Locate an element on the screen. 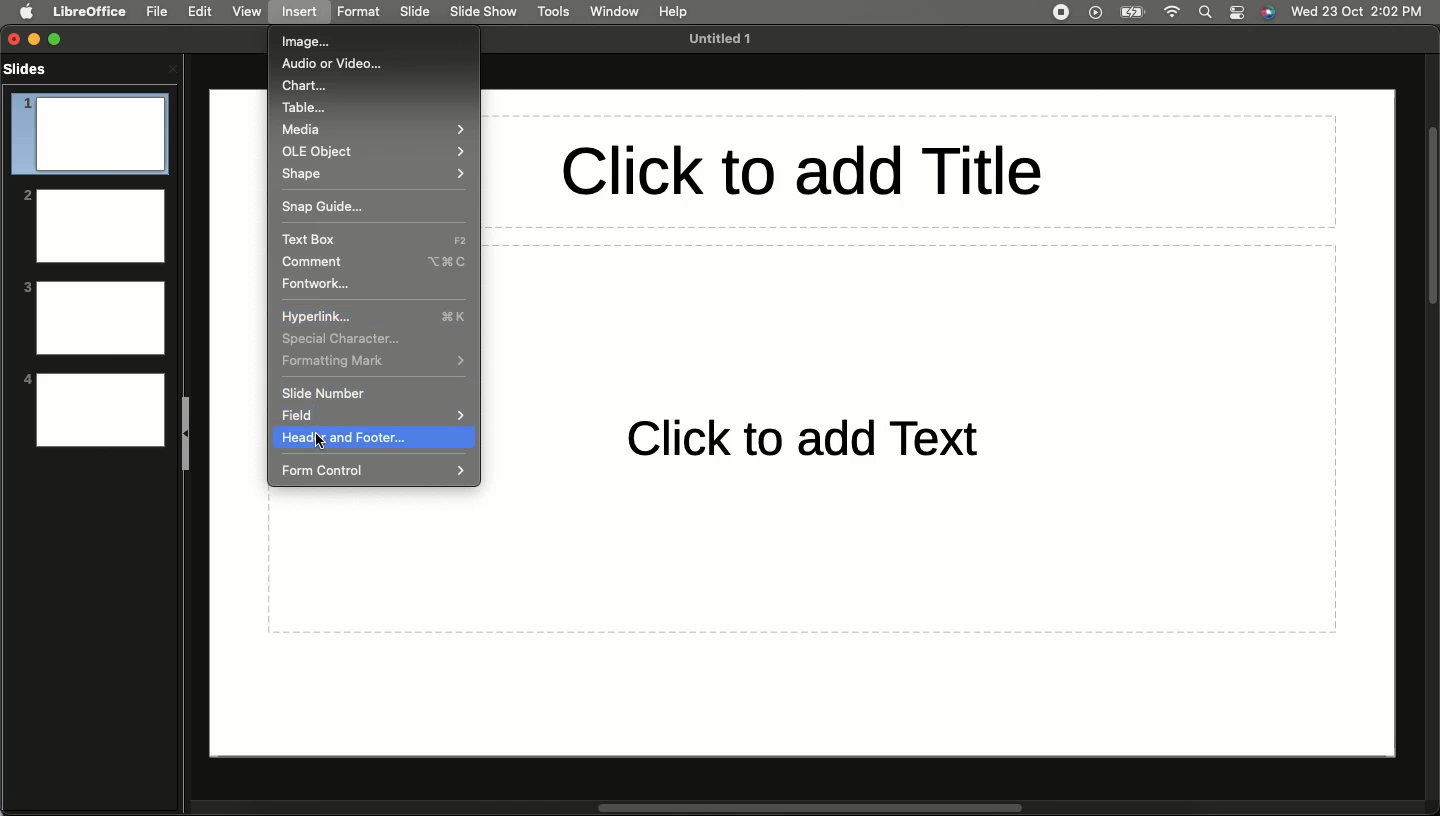 This screenshot has width=1440, height=816. Chart is located at coordinates (305, 87).